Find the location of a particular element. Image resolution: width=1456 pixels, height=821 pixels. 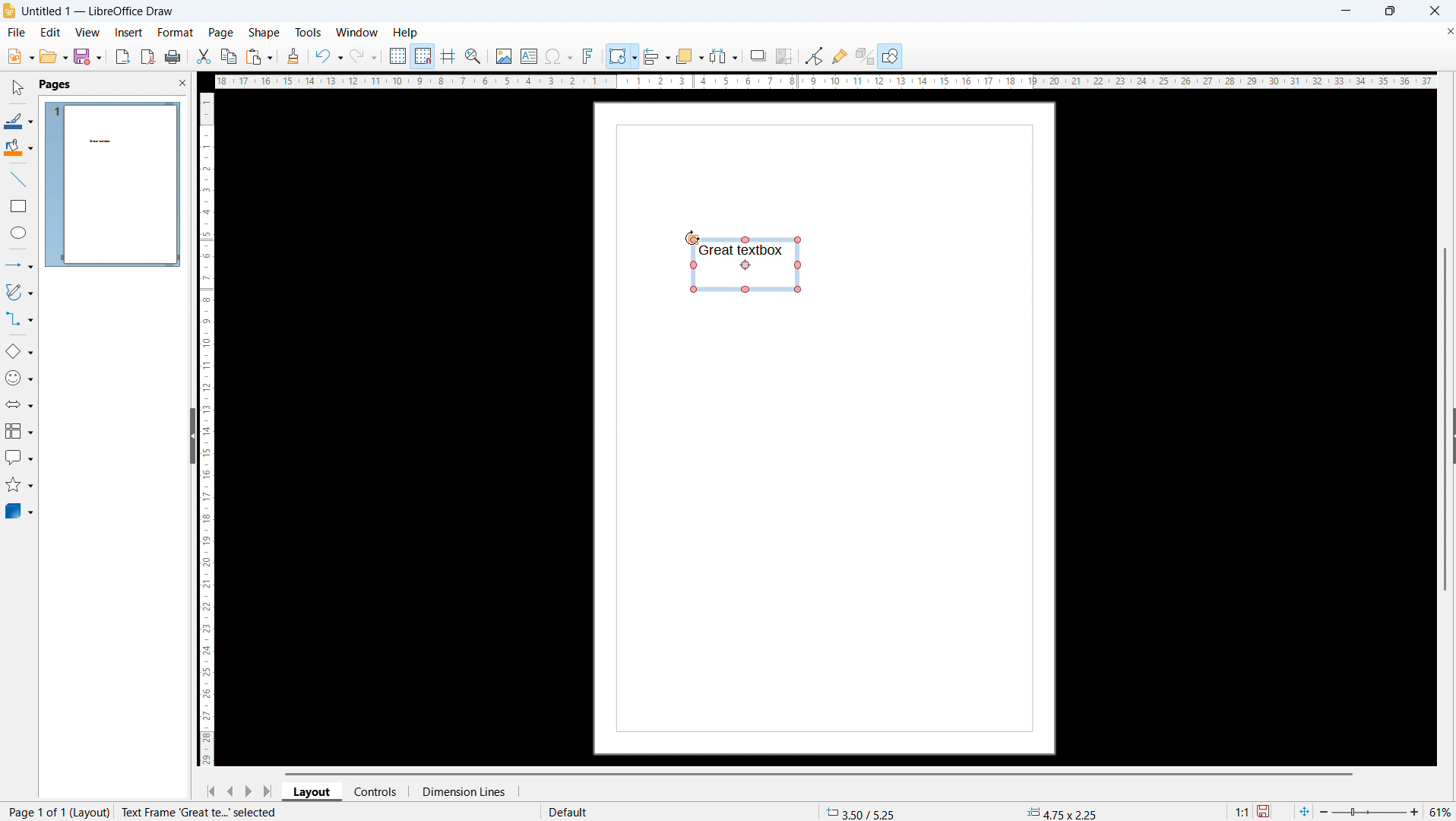

minimise  is located at coordinates (1340, 11).